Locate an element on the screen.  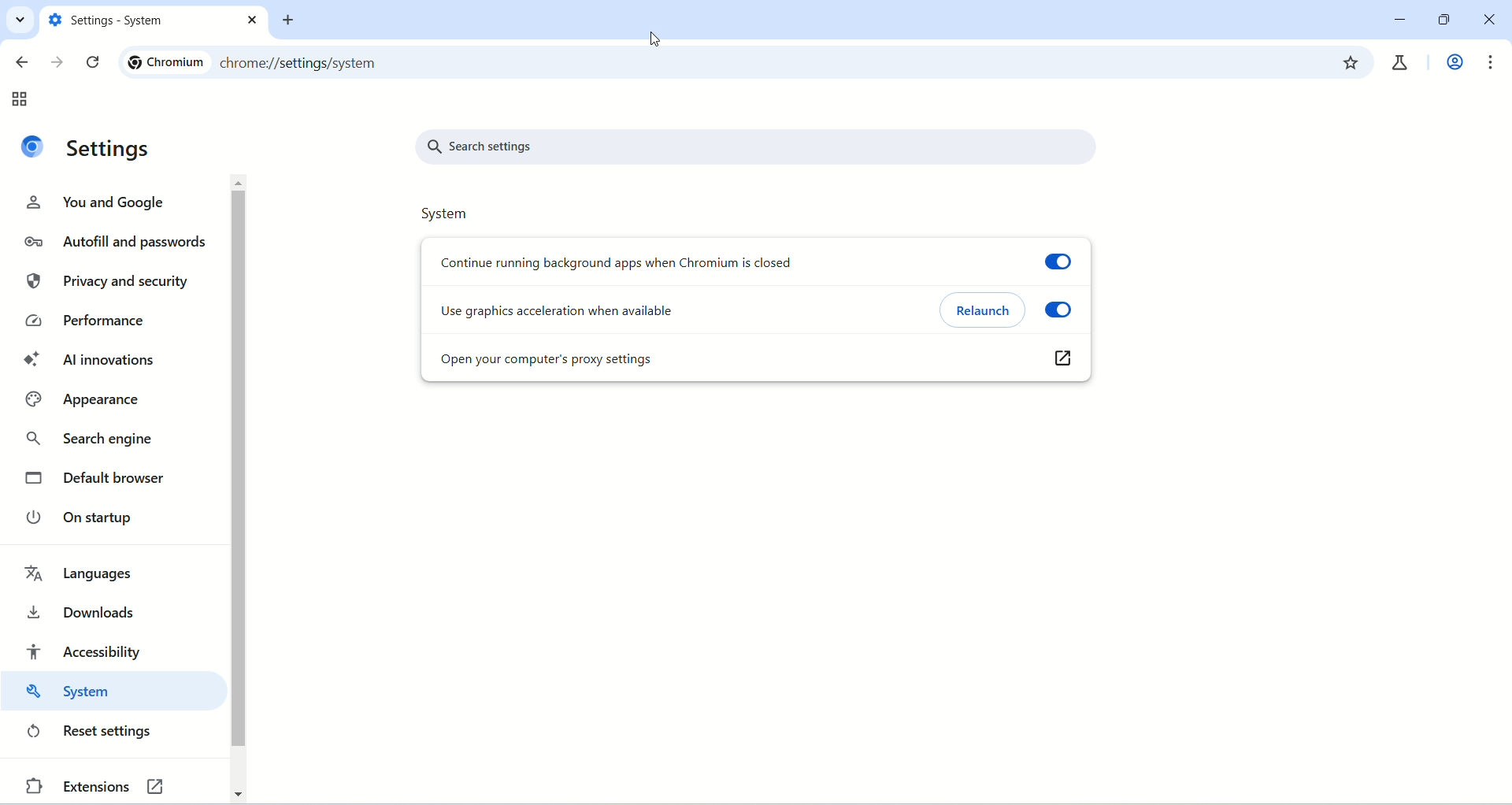
go forward is located at coordinates (56, 60).